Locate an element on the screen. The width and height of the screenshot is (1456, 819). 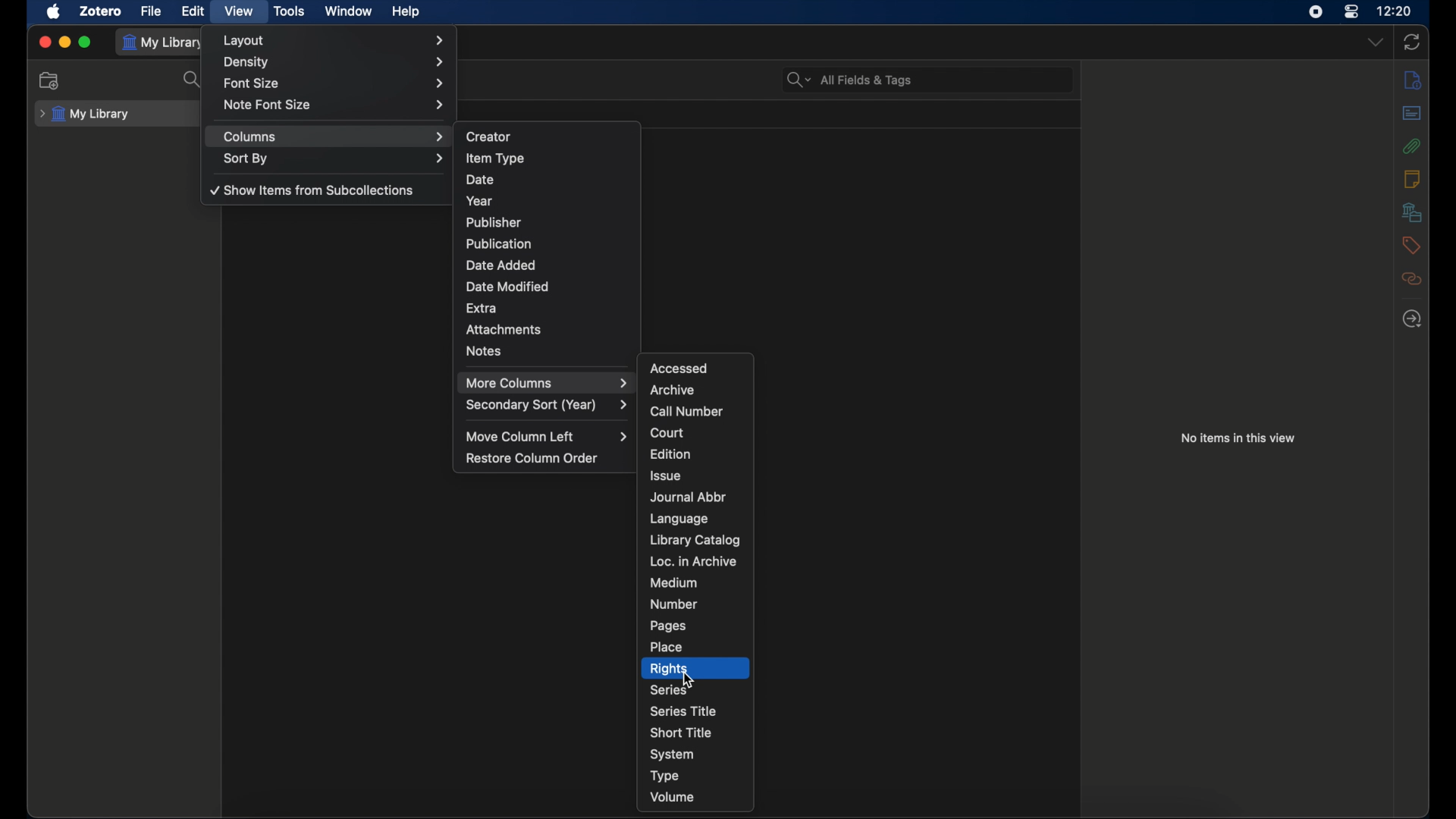
attachments is located at coordinates (1410, 146).